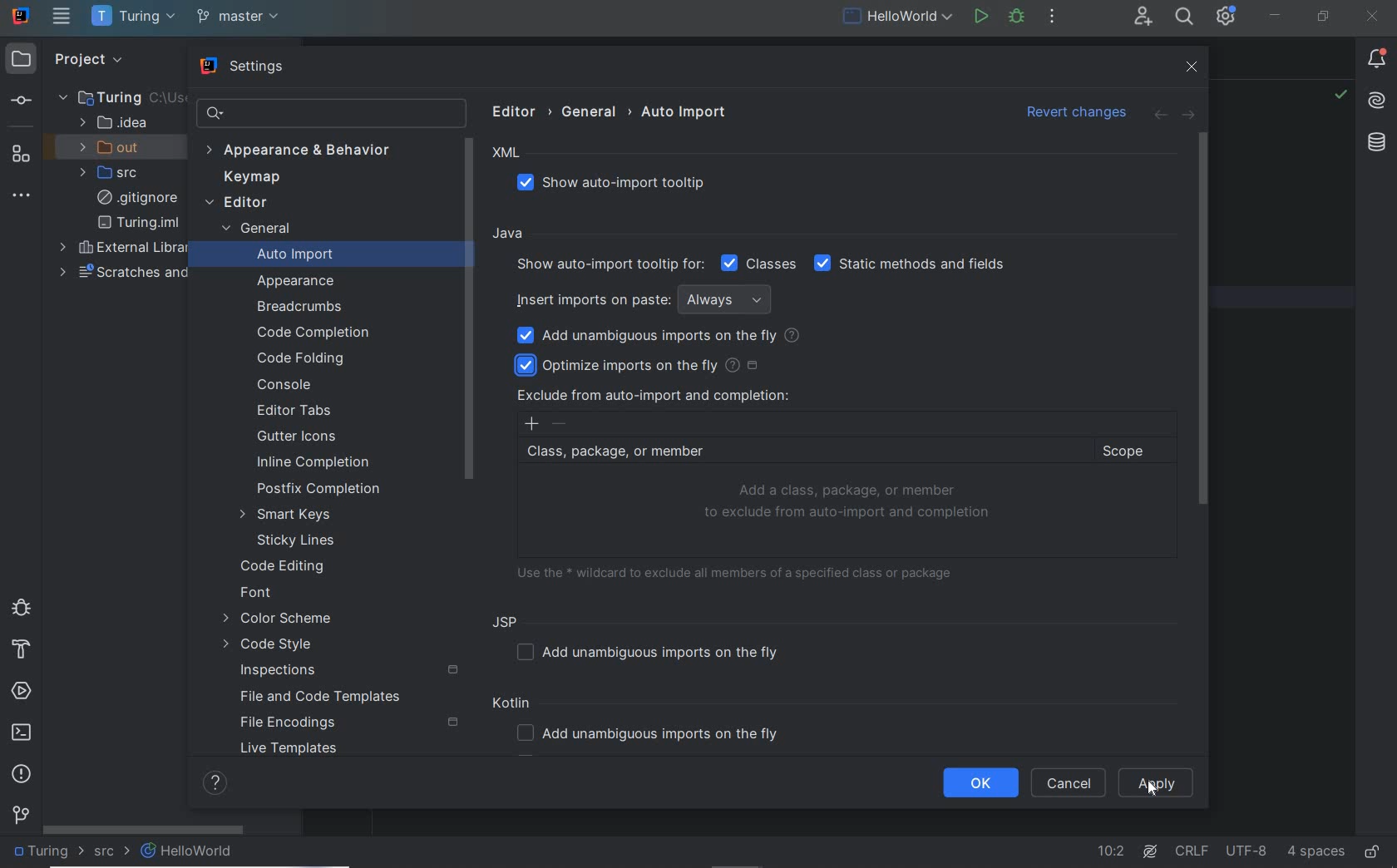  What do you see at coordinates (1158, 116) in the screenshot?
I see `back` at bounding box center [1158, 116].